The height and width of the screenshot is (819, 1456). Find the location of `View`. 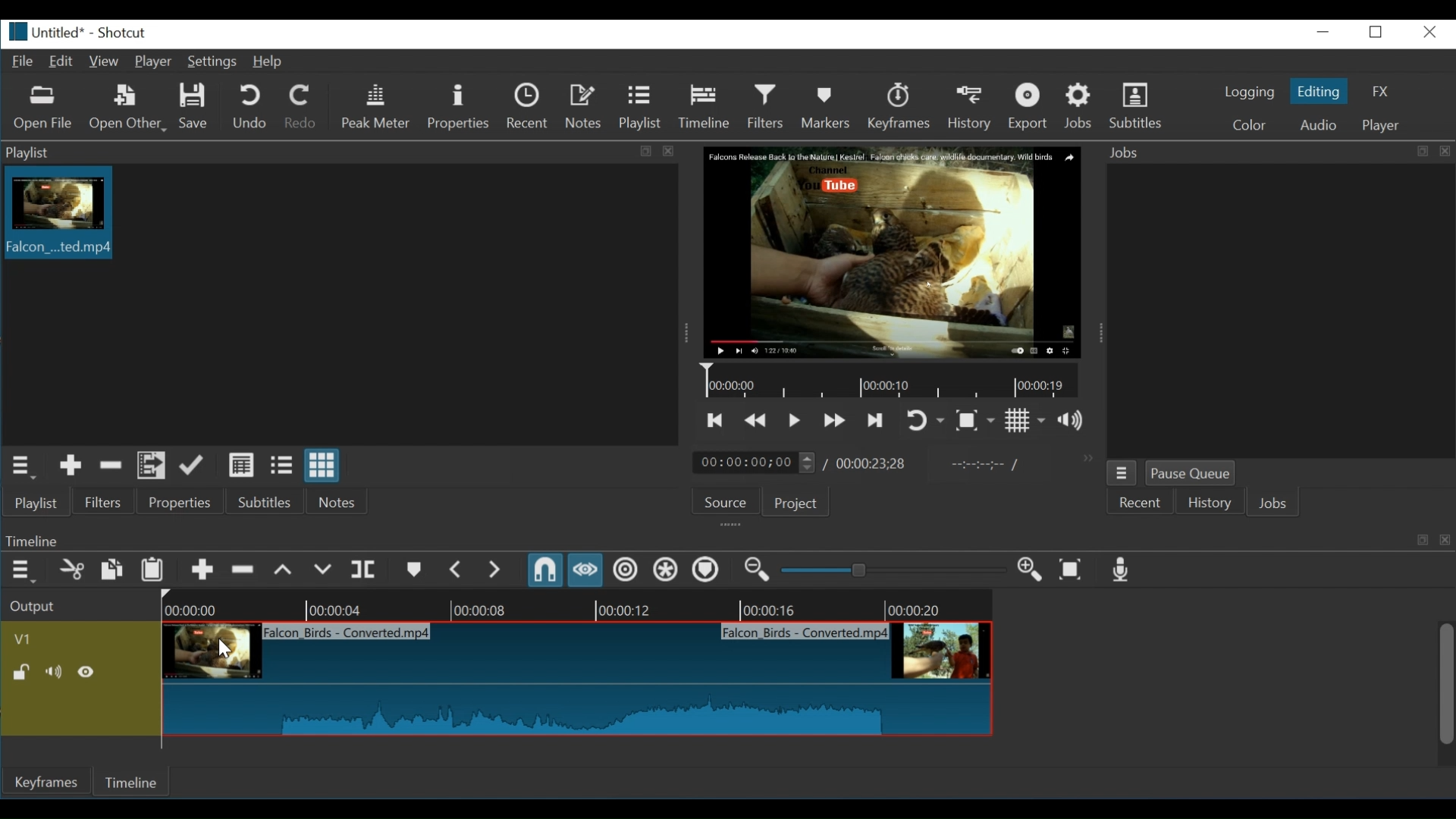

View is located at coordinates (103, 62).